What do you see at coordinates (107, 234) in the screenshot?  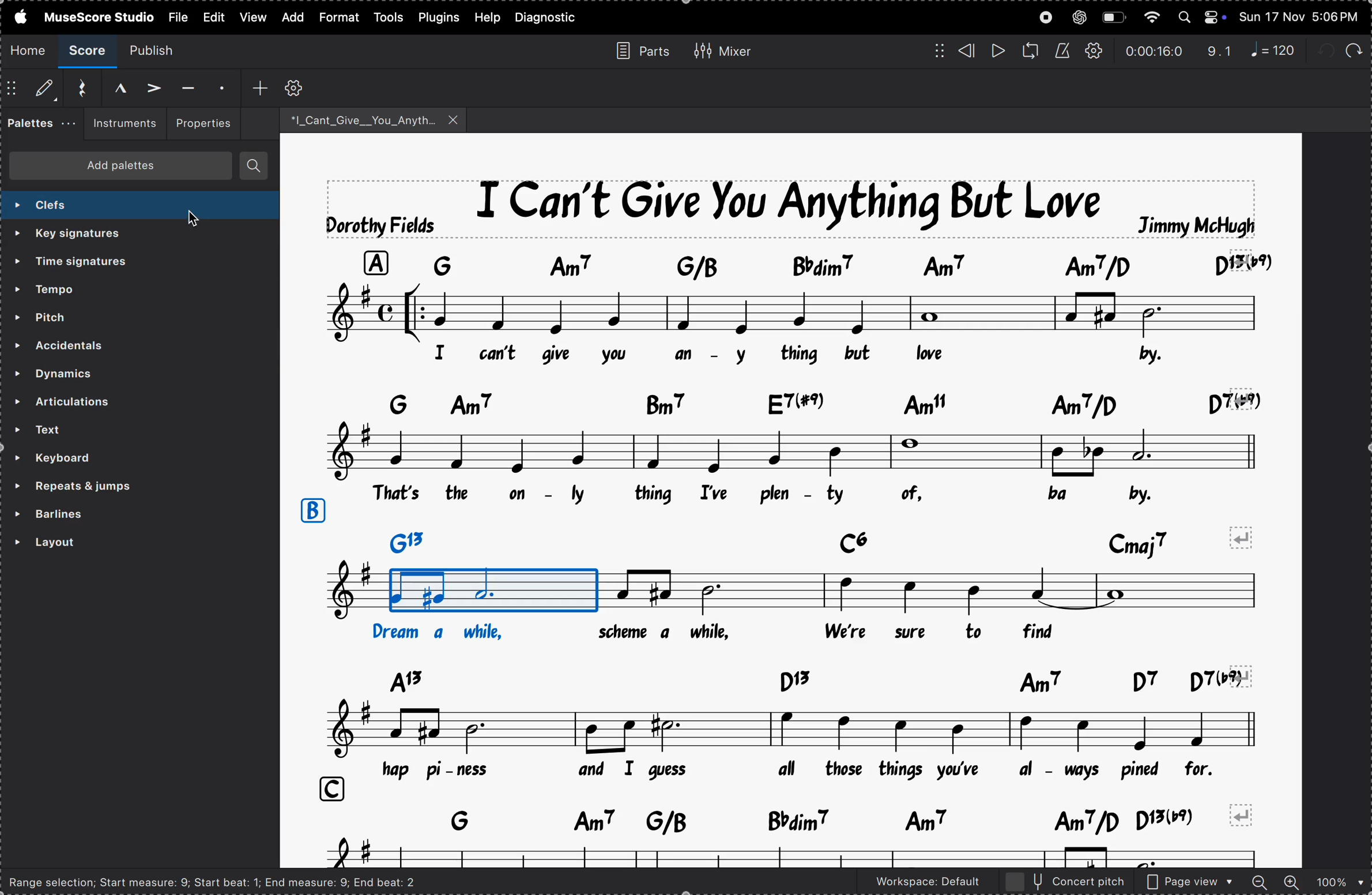 I see `key signatures` at bounding box center [107, 234].